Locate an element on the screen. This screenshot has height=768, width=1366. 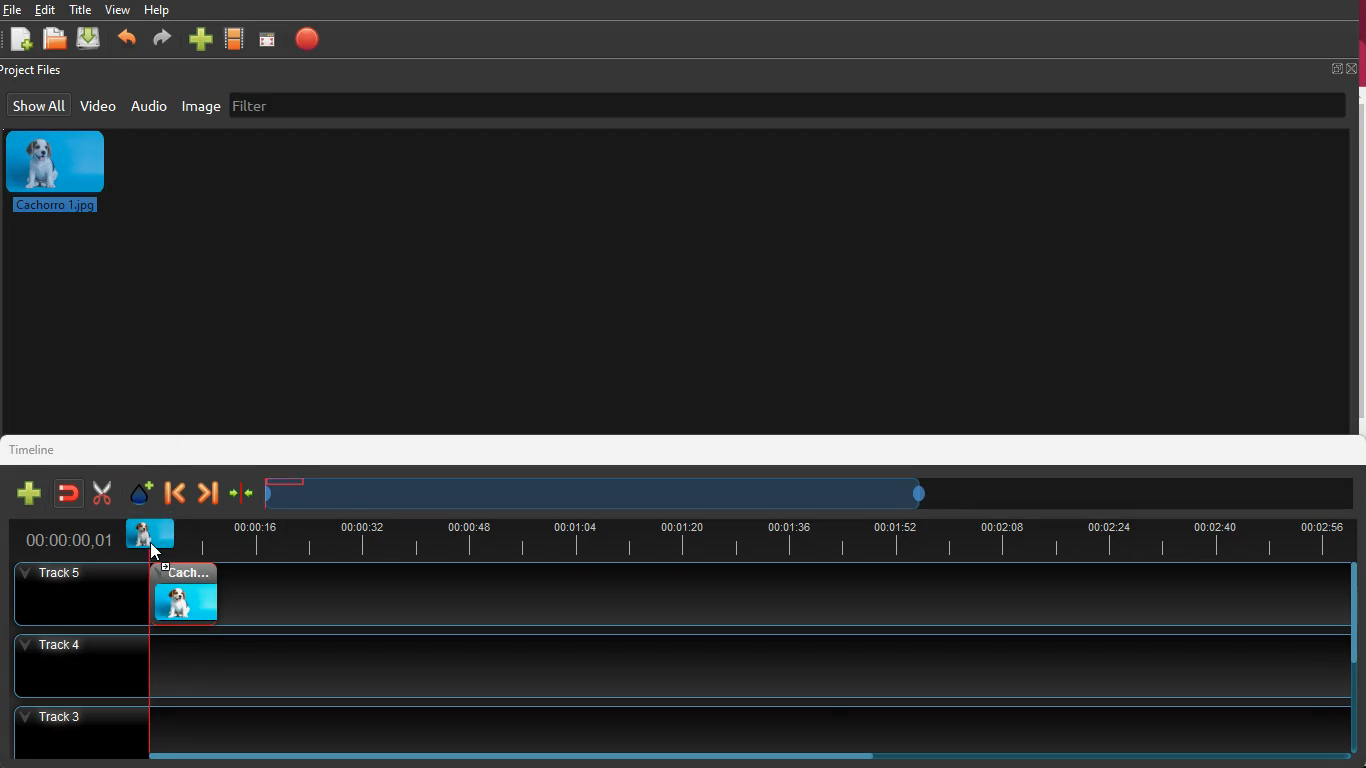
scrollbar is located at coordinates (744, 754).